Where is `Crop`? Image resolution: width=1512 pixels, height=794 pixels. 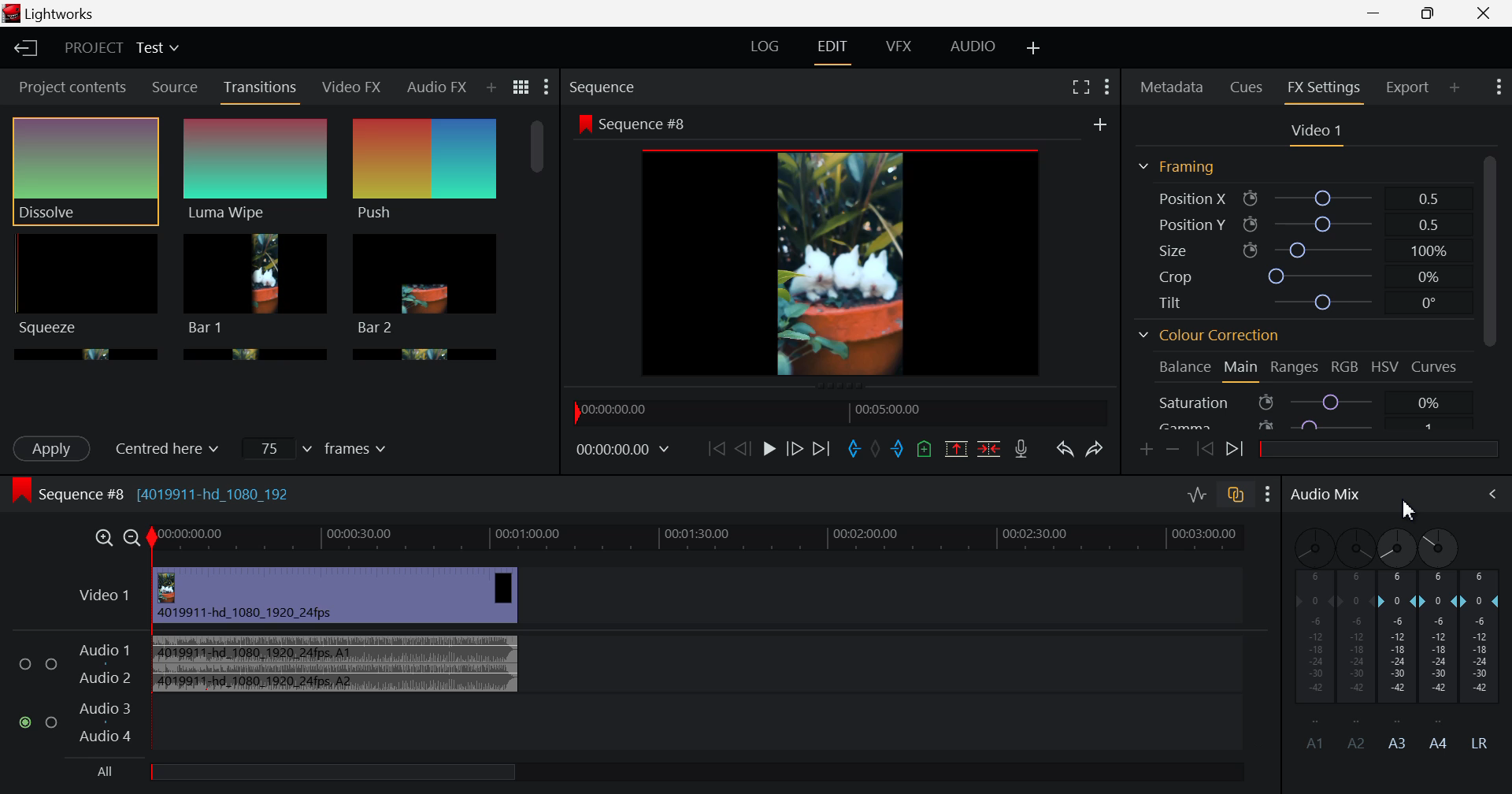 Crop is located at coordinates (1303, 275).